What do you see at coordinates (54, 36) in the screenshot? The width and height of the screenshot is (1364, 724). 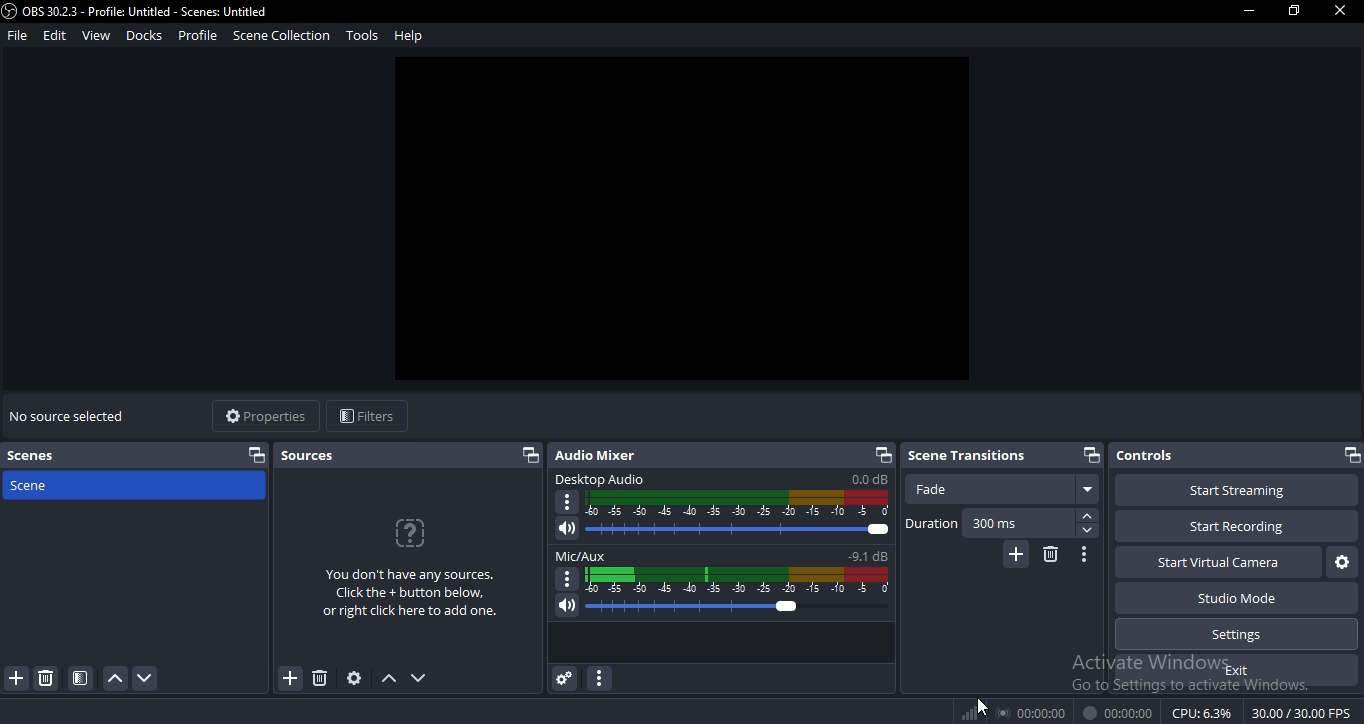 I see `edit` at bounding box center [54, 36].